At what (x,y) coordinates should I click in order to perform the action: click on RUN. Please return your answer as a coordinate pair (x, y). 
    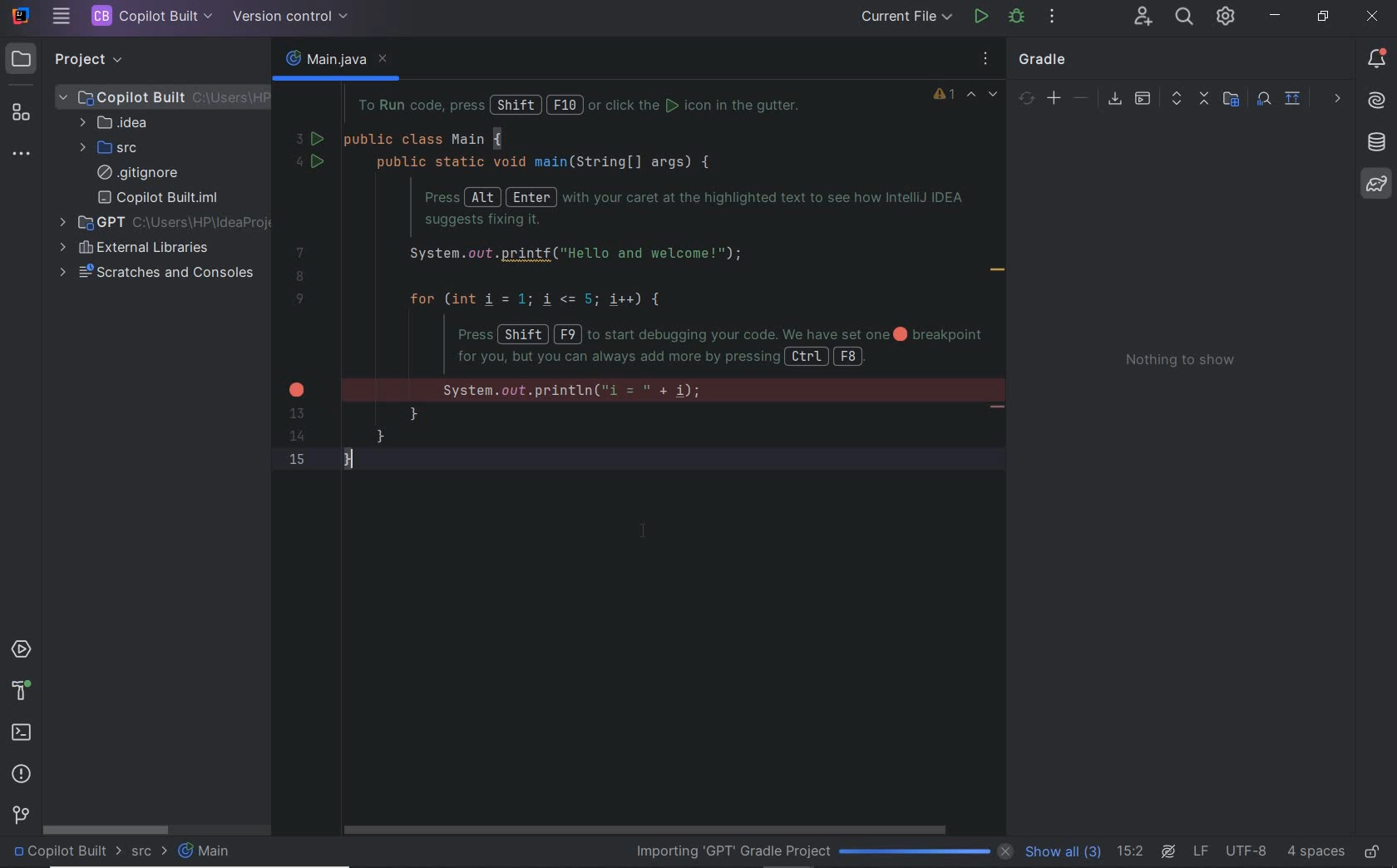
    Looking at the image, I should click on (980, 17).